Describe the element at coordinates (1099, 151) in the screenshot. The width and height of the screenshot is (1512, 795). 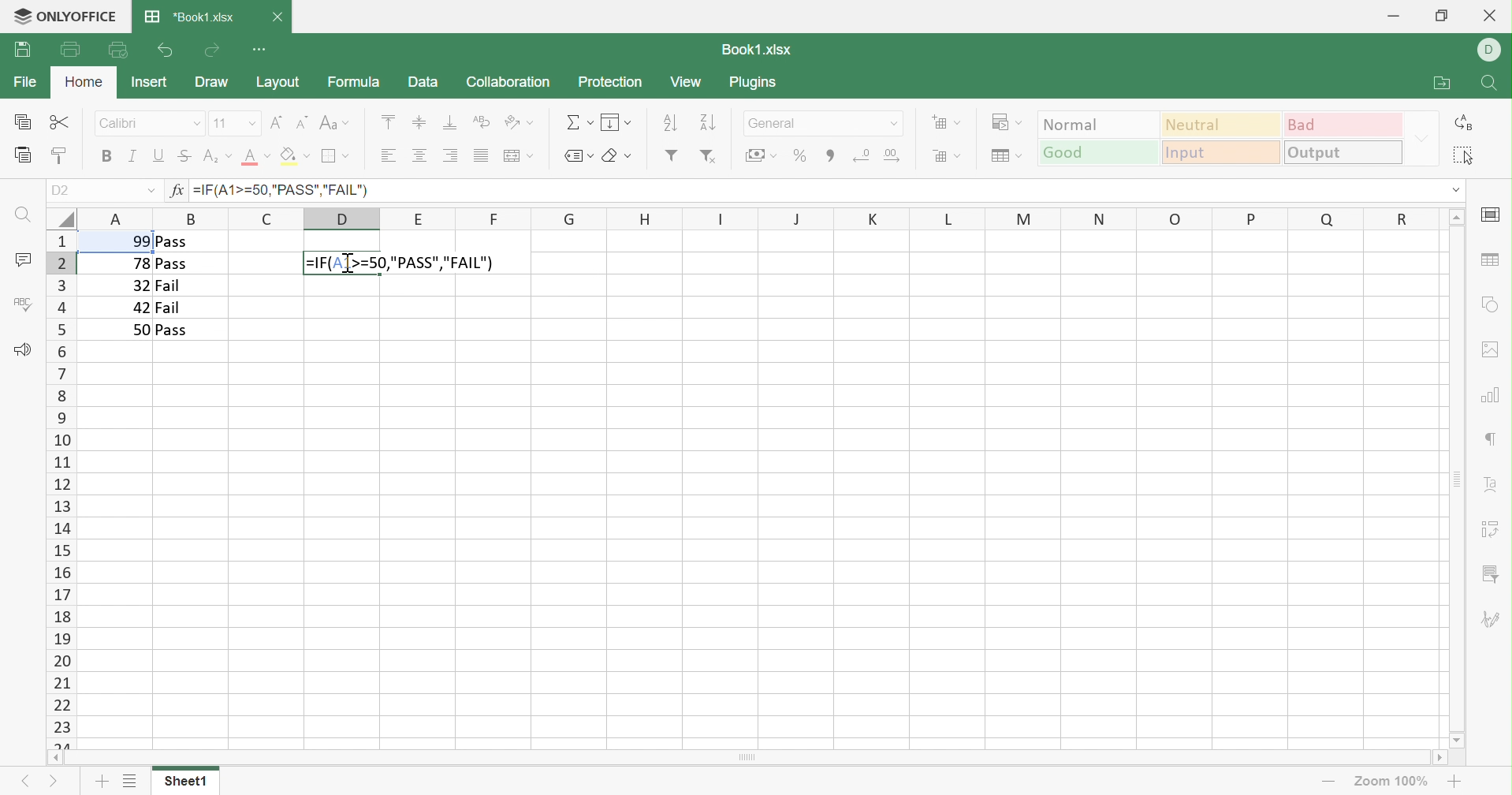
I see `Good` at that location.